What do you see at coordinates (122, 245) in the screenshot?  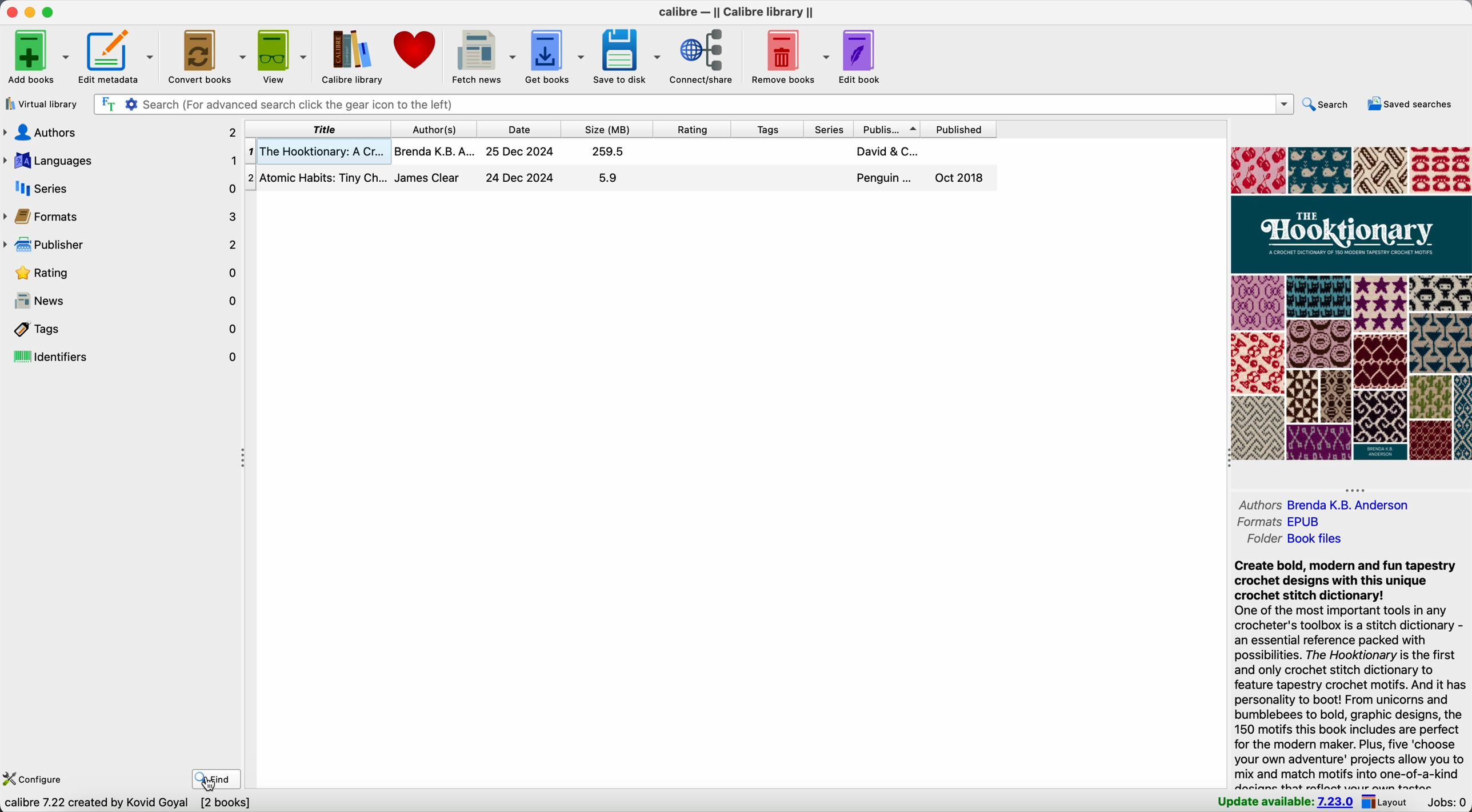 I see `publisher` at bounding box center [122, 245].